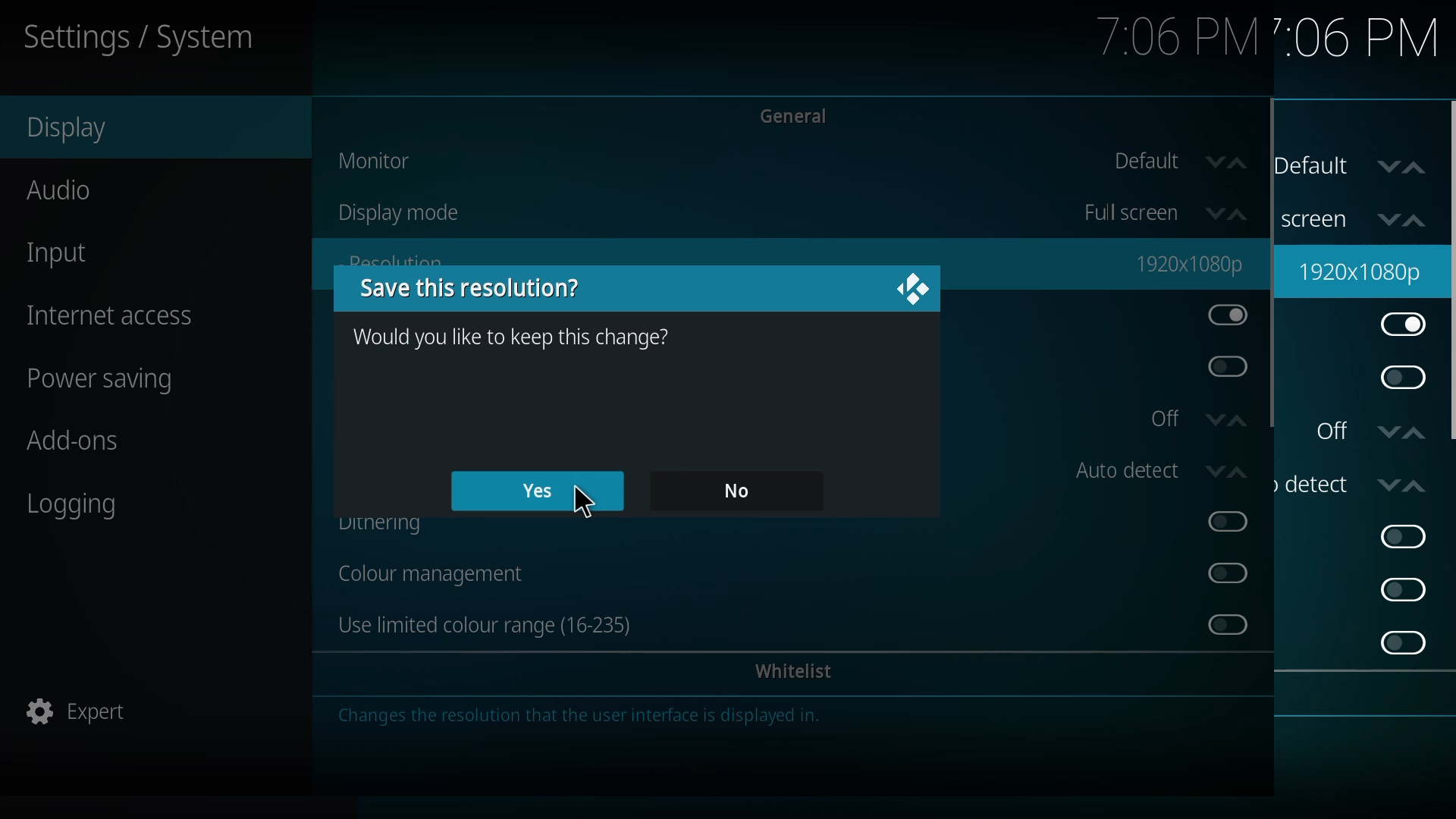 The width and height of the screenshot is (1456, 819). What do you see at coordinates (499, 623) in the screenshot?
I see `use limited color range` at bounding box center [499, 623].